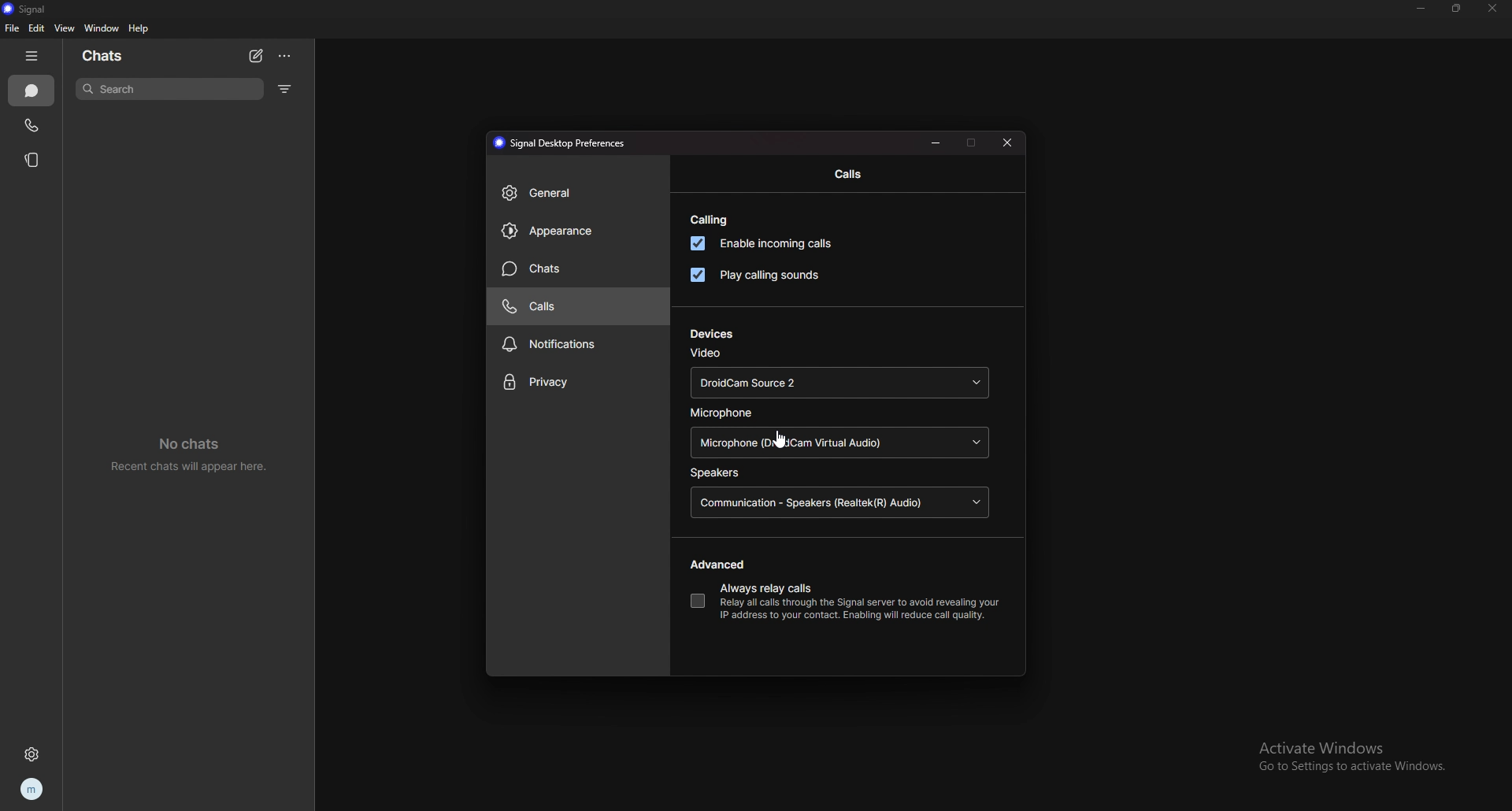  Describe the element at coordinates (1491, 9) in the screenshot. I see `close` at that location.